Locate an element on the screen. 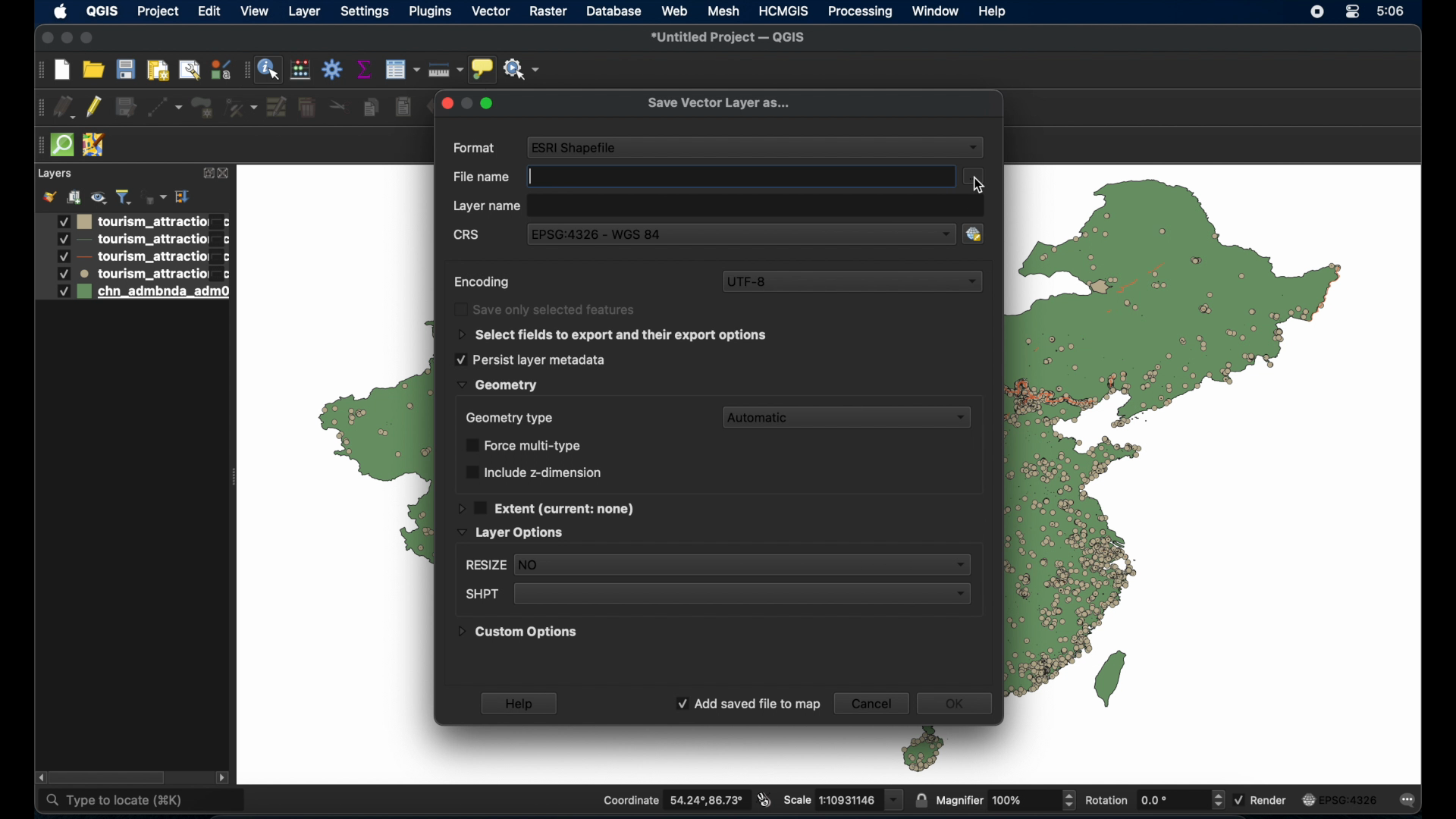  inactive buttons is located at coordinates (466, 102).